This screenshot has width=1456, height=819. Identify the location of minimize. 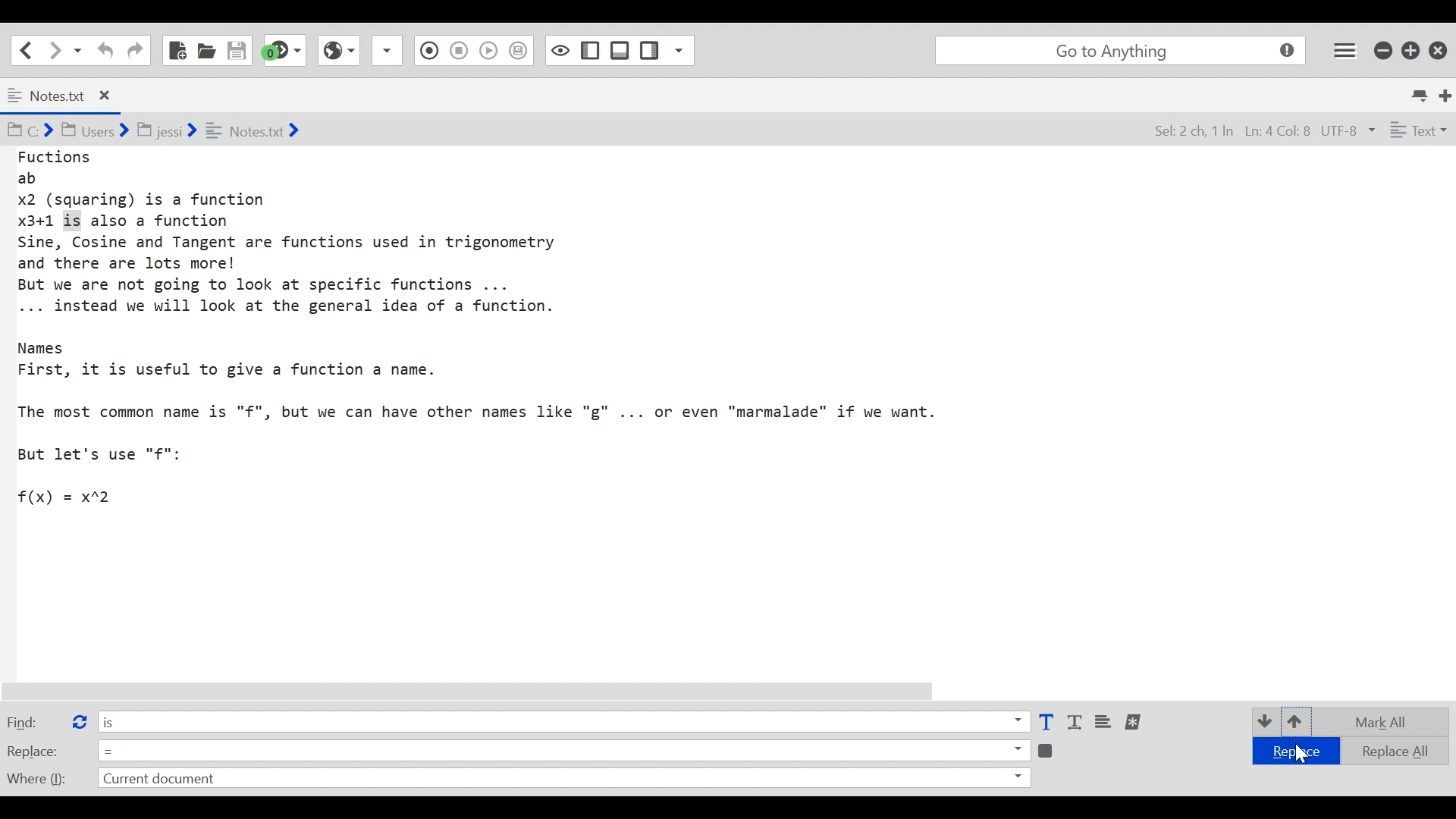
(1385, 49).